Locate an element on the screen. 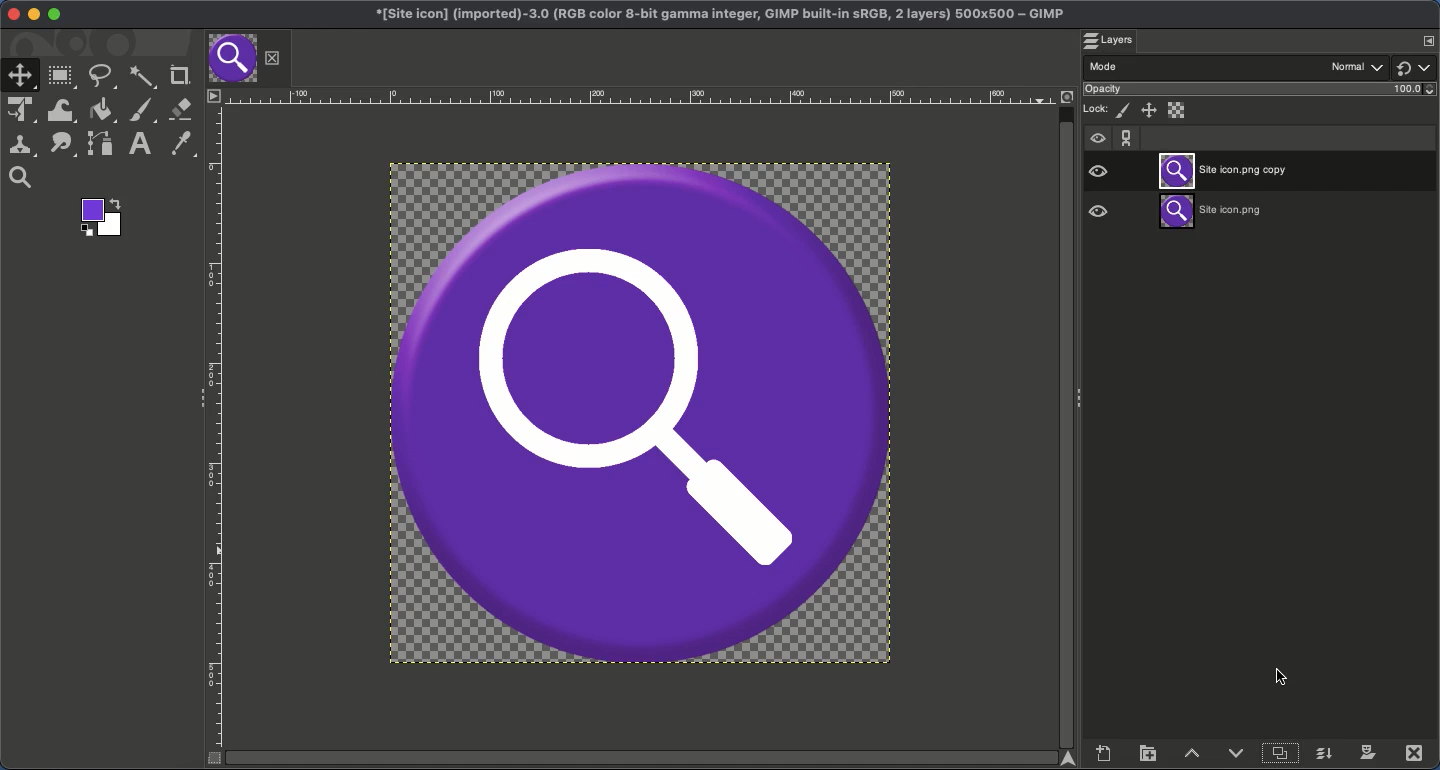  Raise layer is located at coordinates (1191, 751).